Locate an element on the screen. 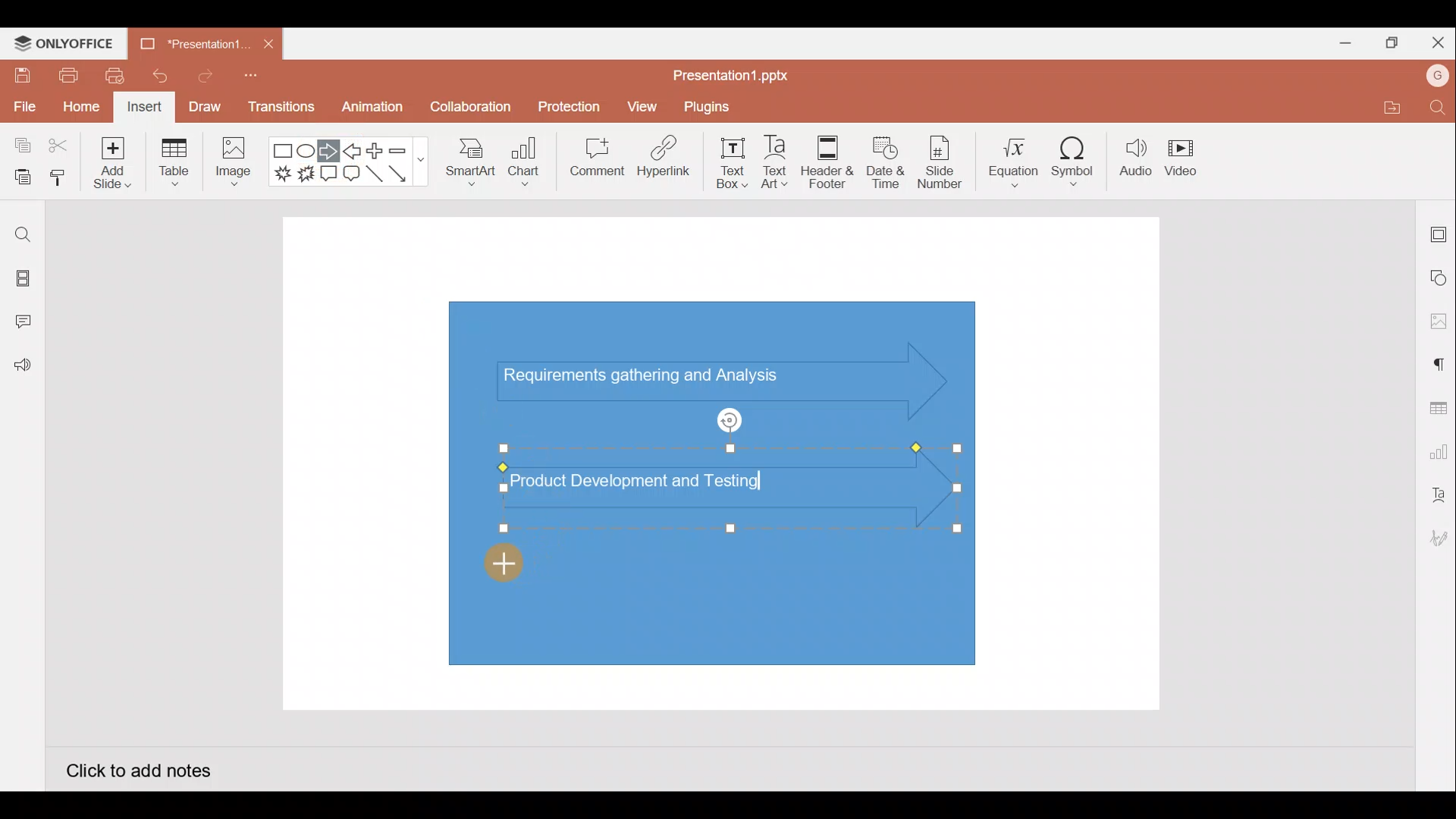 This screenshot has width=1456, height=819. Cursor on rectangle shape is located at coordinates (518, 562).